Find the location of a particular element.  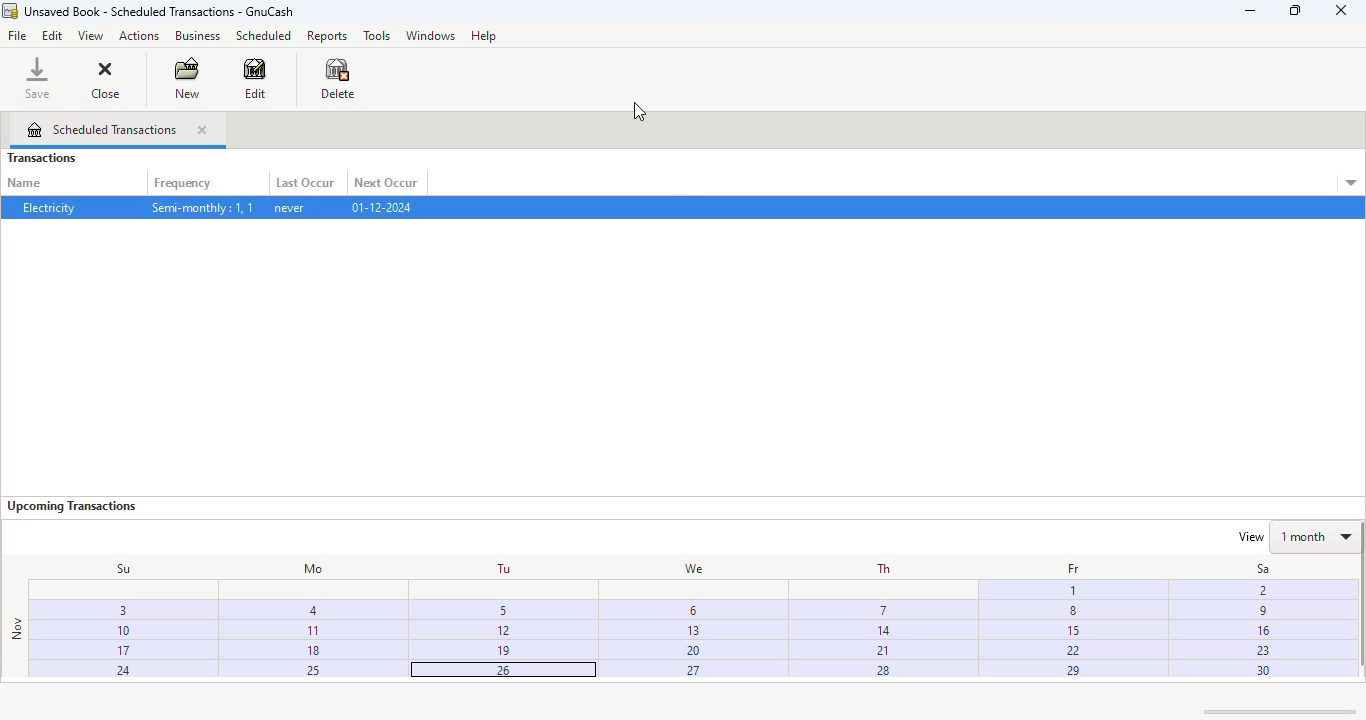

5 is located at coordinates (506, 608).